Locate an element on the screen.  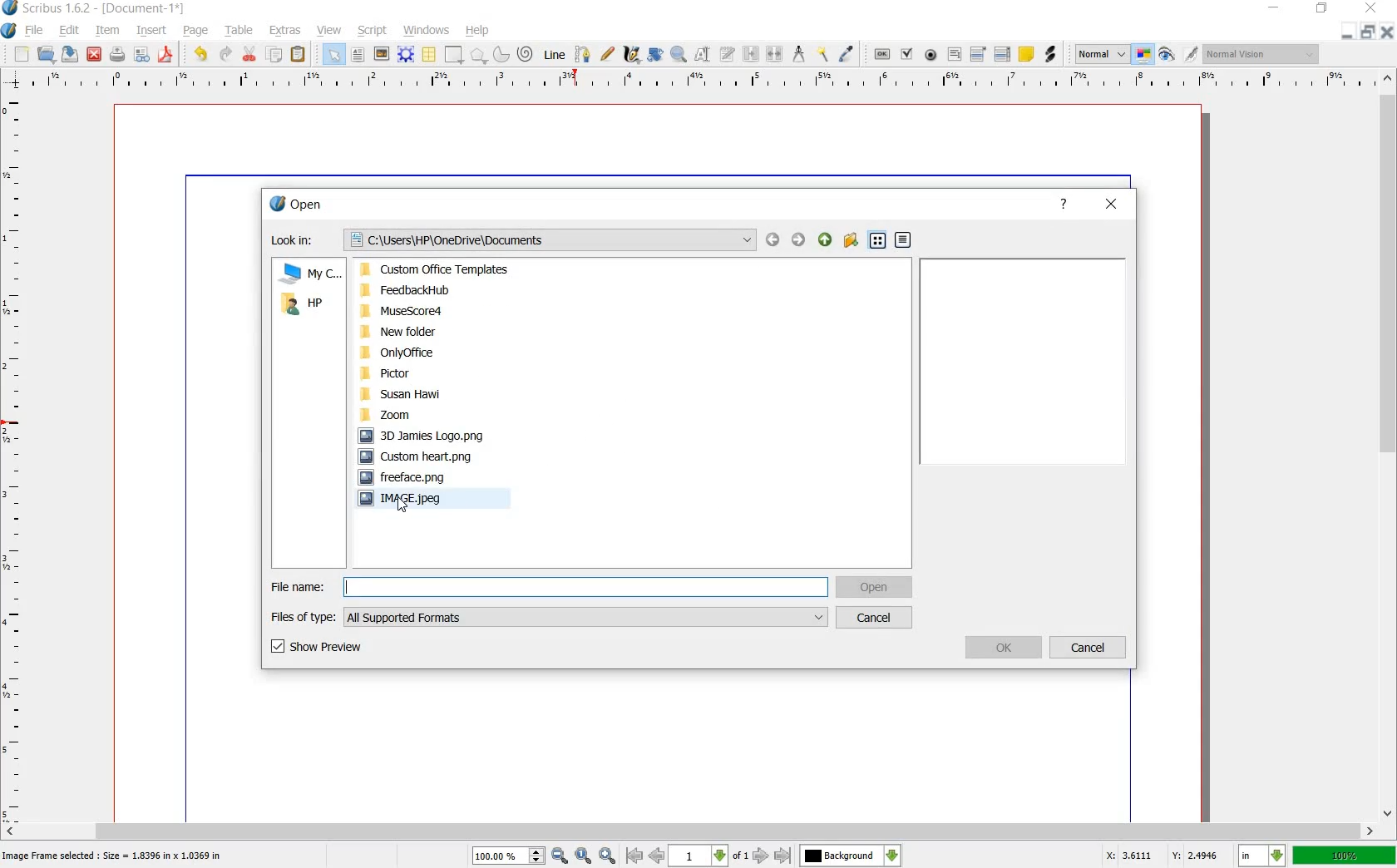
redo is located at coordinates (225, 55).